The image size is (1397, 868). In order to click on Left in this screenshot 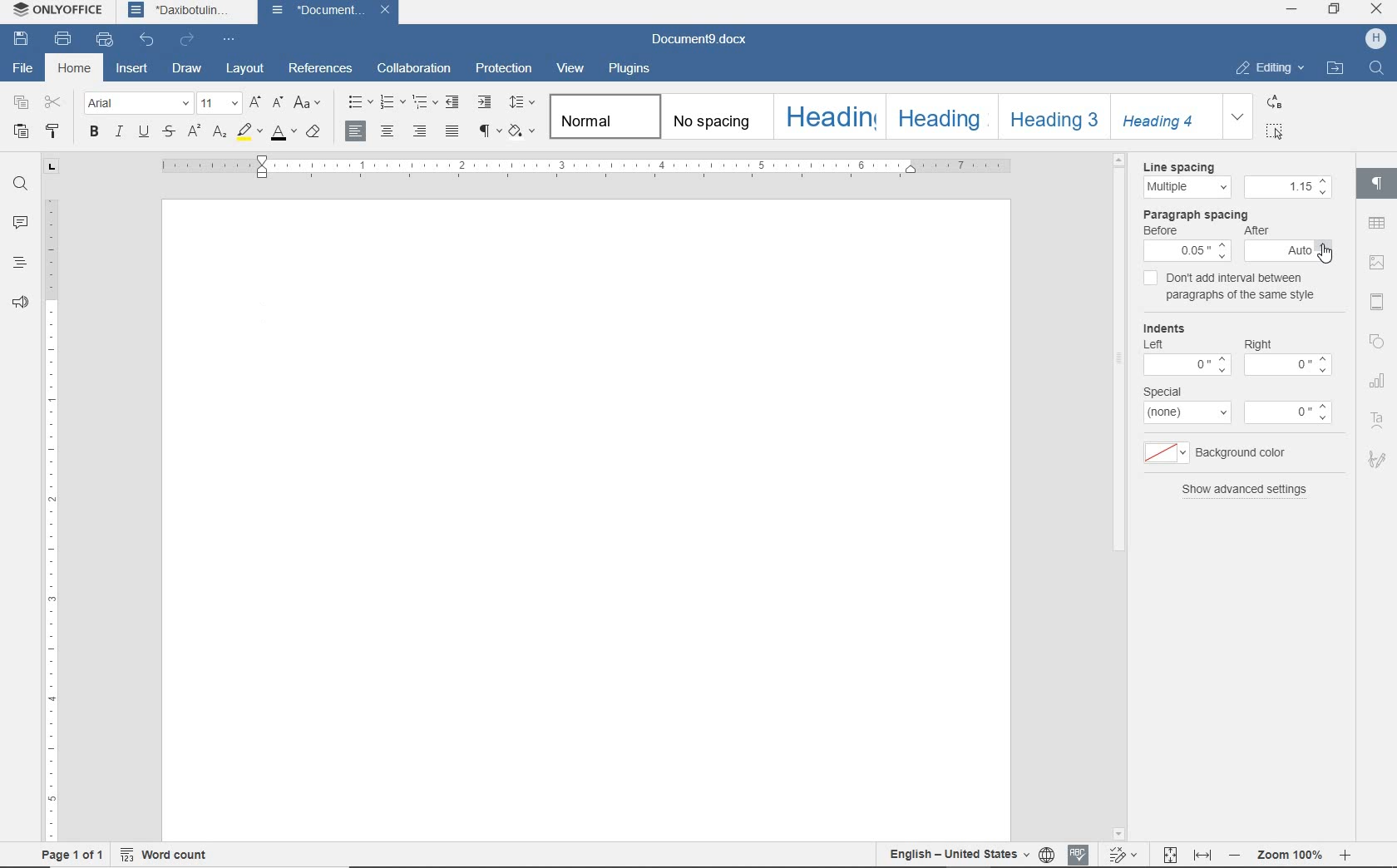, I will do `click(1153, 344)`.